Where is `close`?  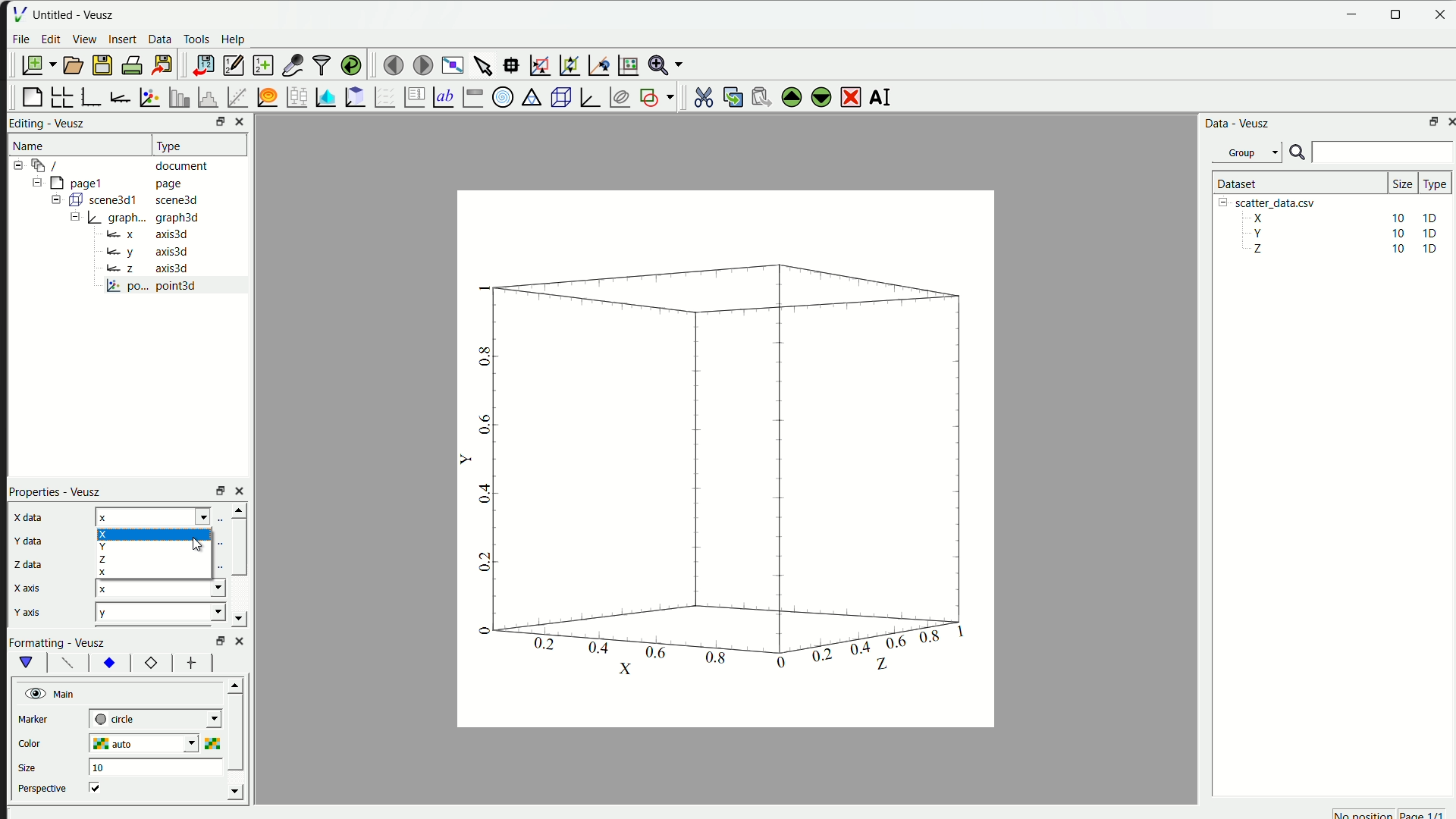 close is located at coordinates (1439, 12).